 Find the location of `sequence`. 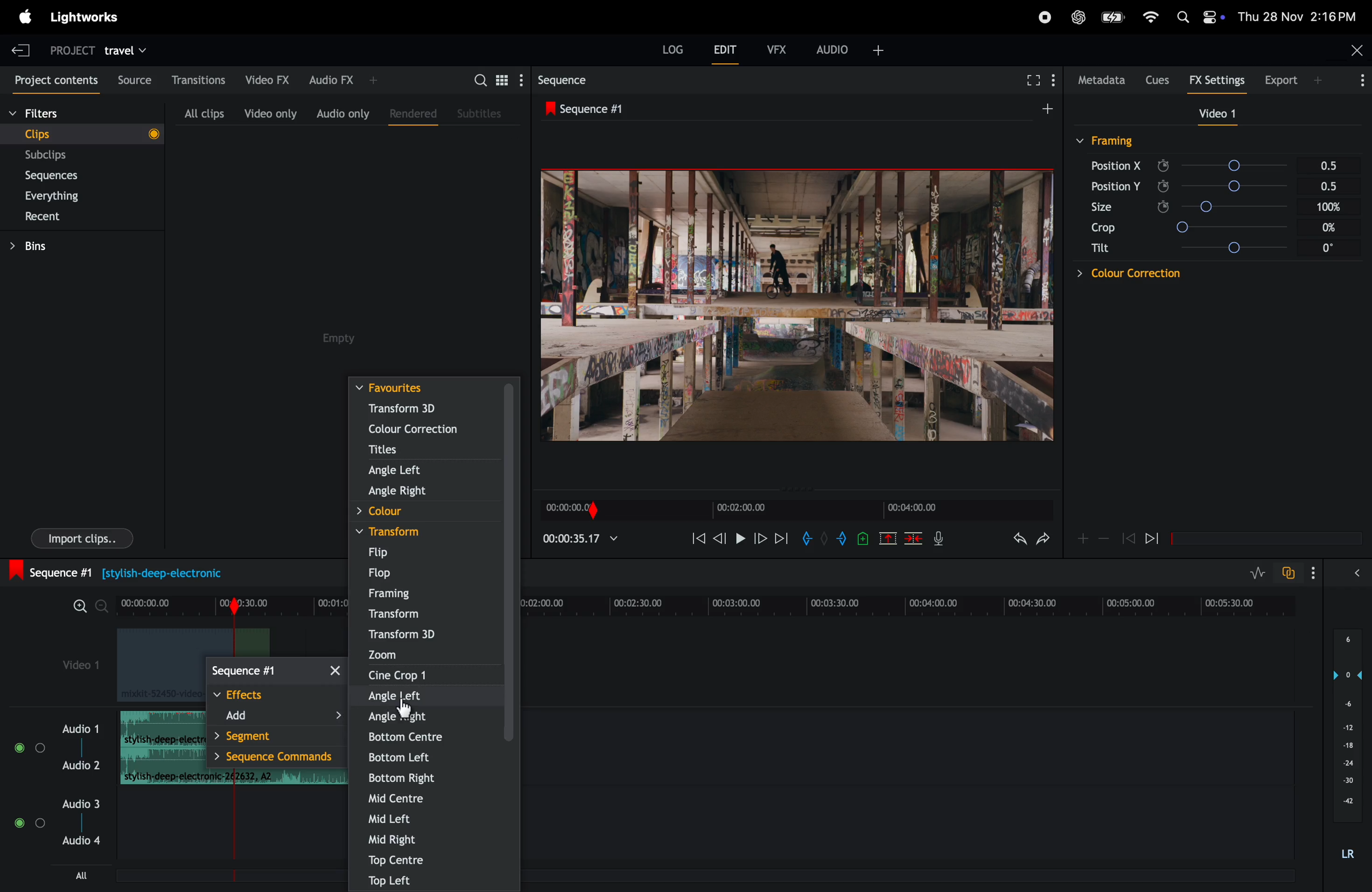

sequence is located at coordinates (575, 80).